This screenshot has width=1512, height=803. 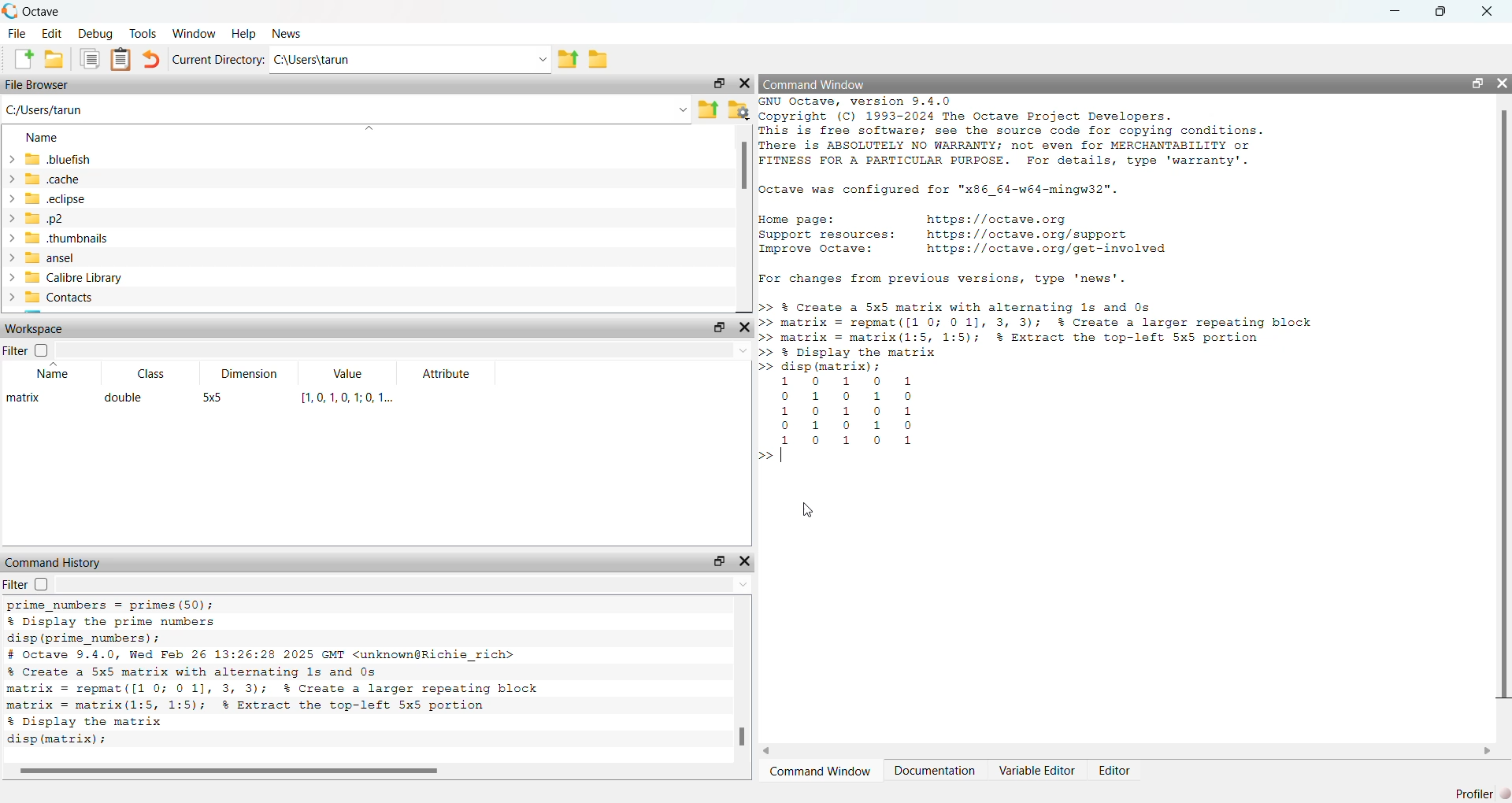 I want to click on Dimension, so click(x=250, y=373).